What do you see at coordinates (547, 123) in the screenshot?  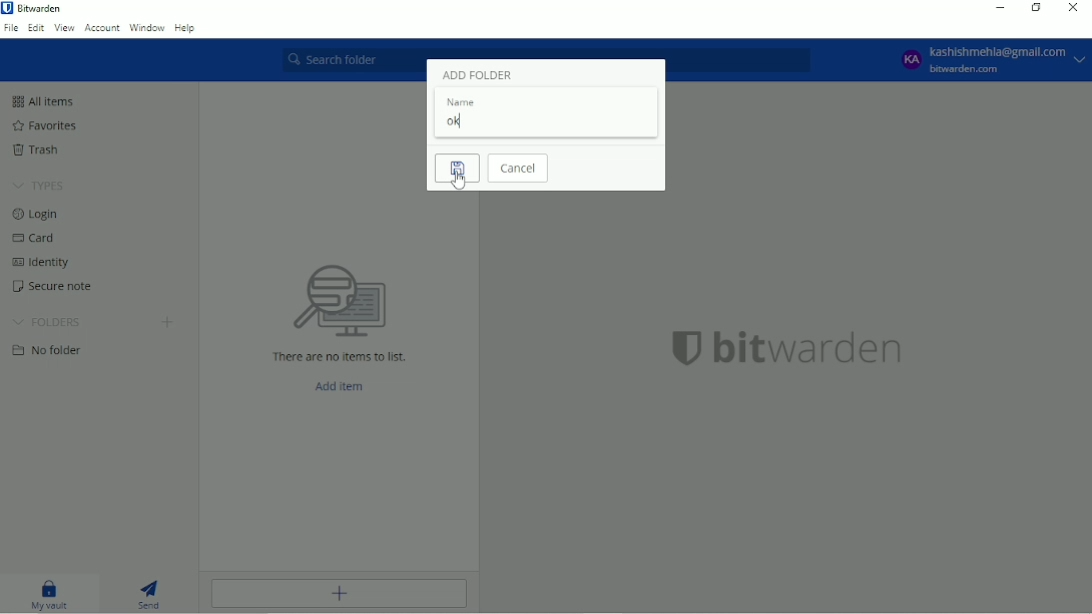 I see `Name input box` at bounding box center [547, 123].